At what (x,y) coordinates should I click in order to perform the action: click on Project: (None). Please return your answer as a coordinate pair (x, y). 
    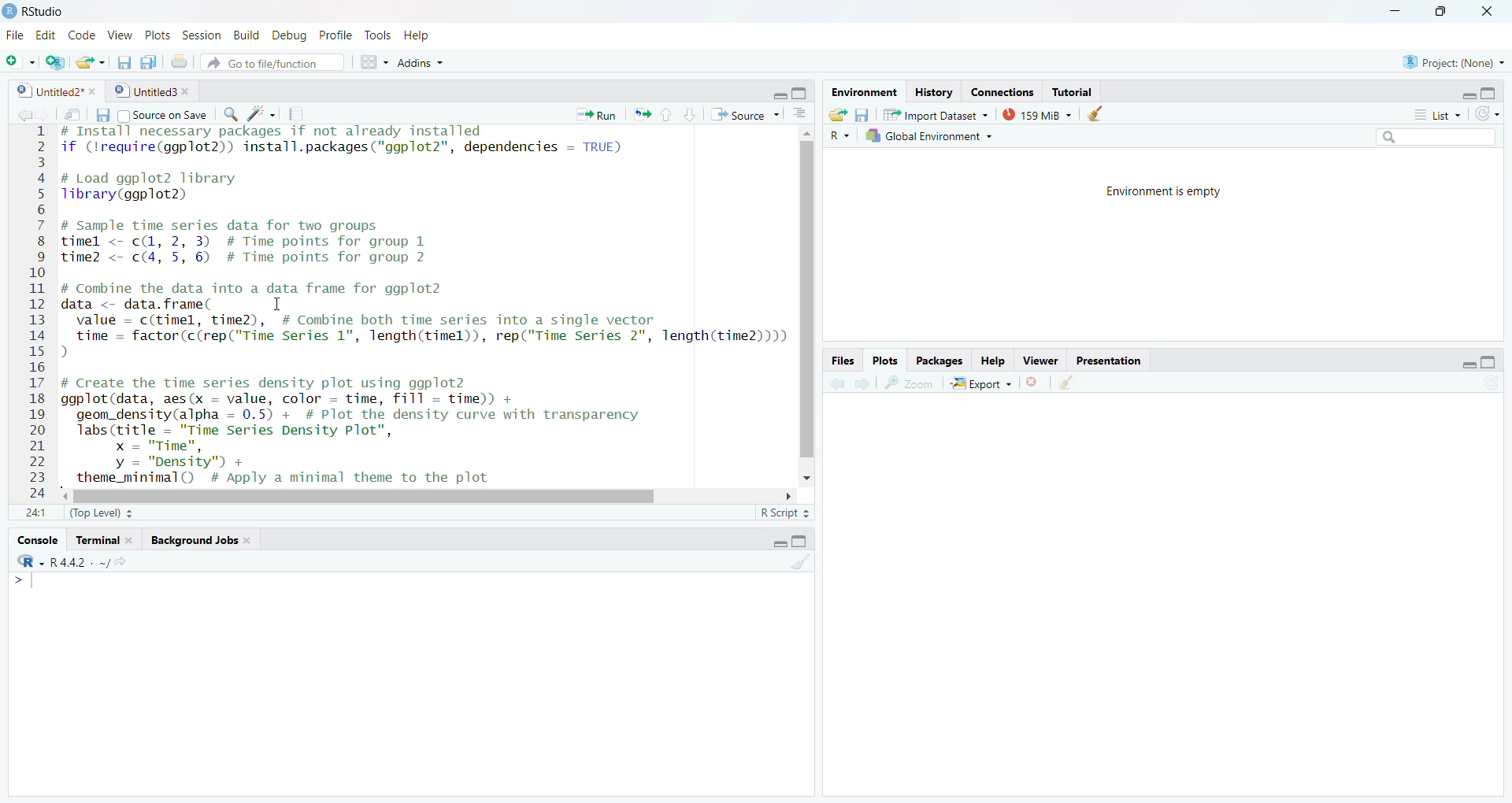
    Looking at the image, I should click on (1454, 62).